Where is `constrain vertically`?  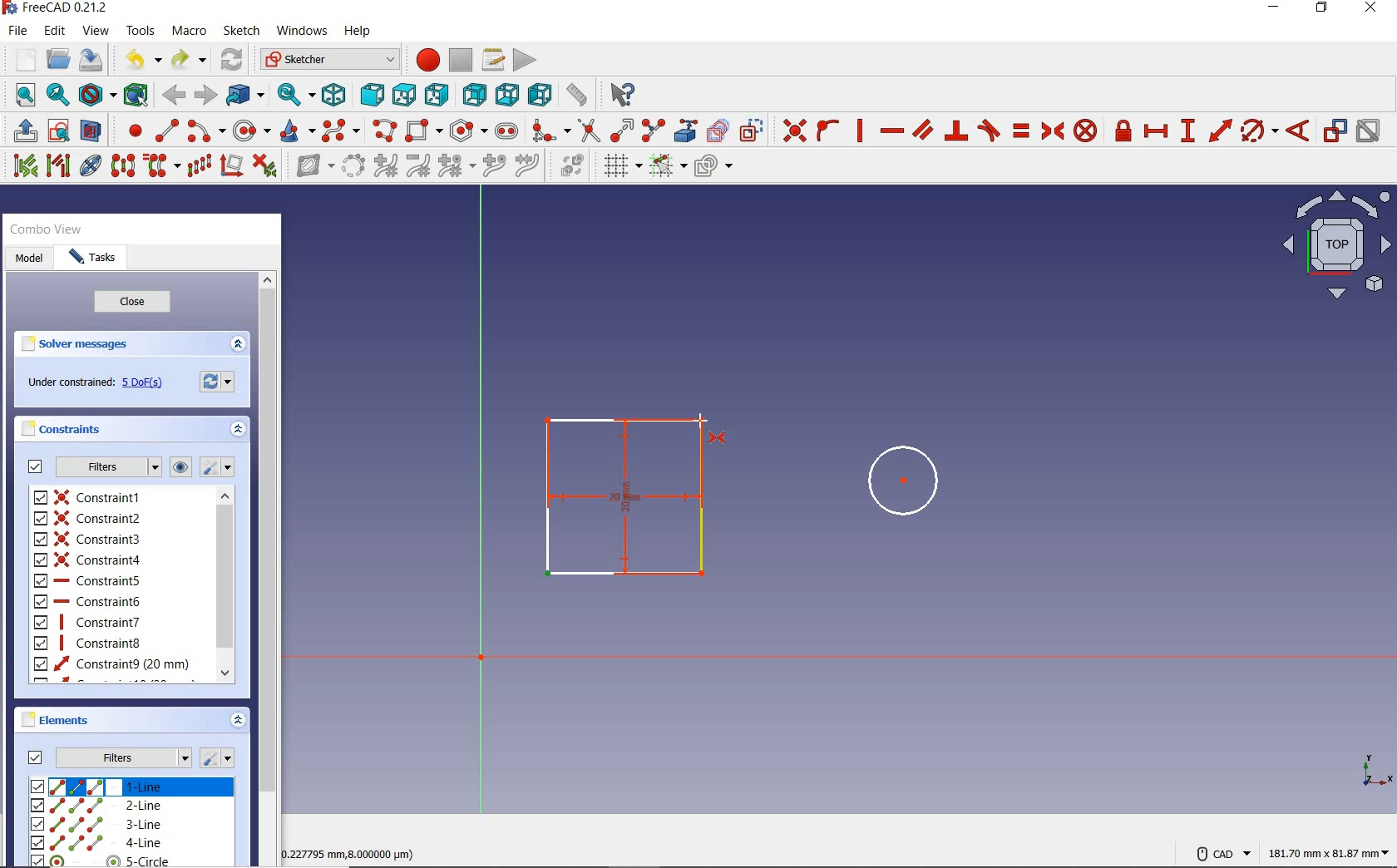 constrain vertically is located at coordinates (861, 132).